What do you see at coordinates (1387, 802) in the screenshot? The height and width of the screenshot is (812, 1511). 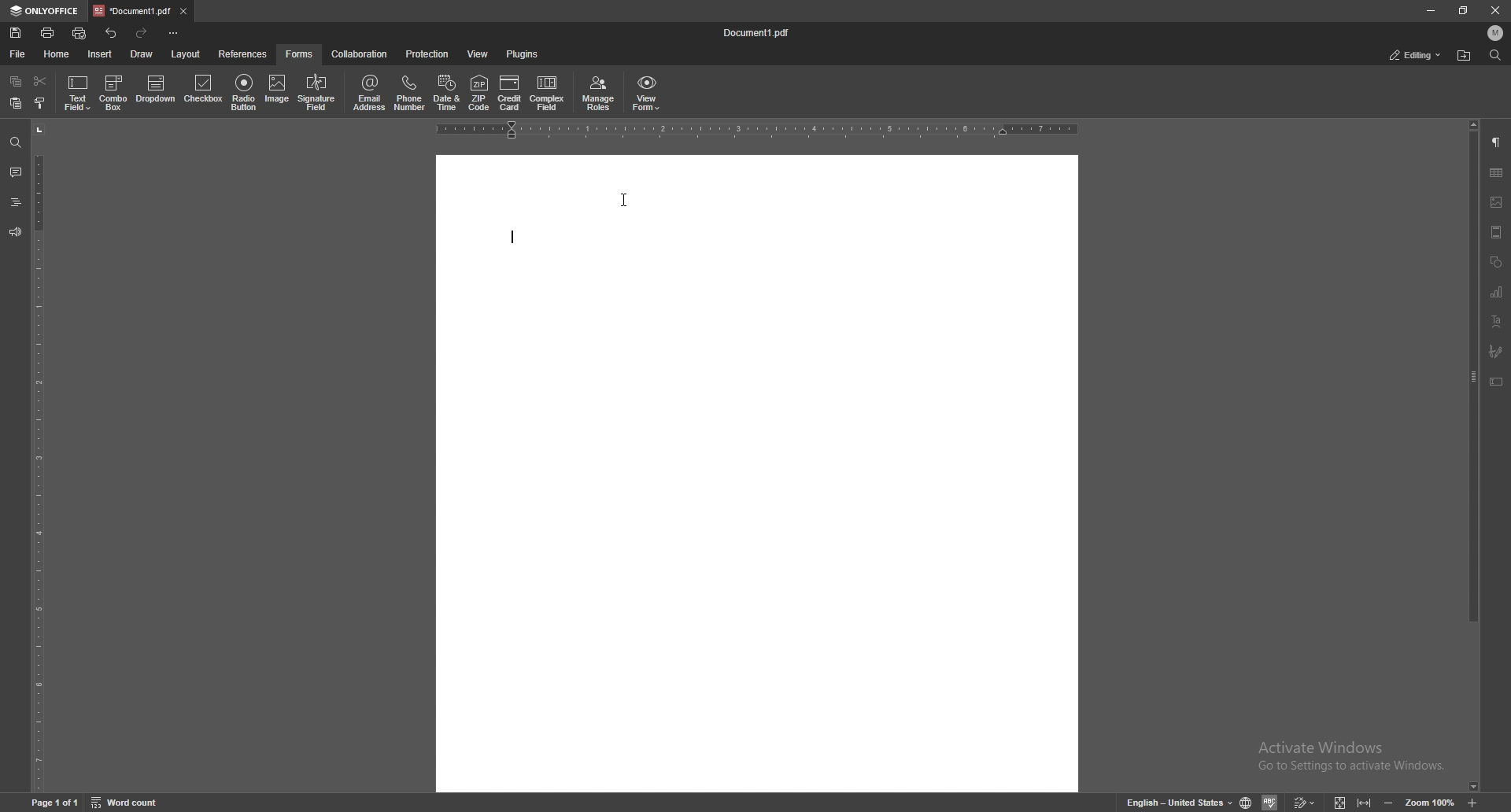 I see `zoom out` at bounding box center [1387, 802].